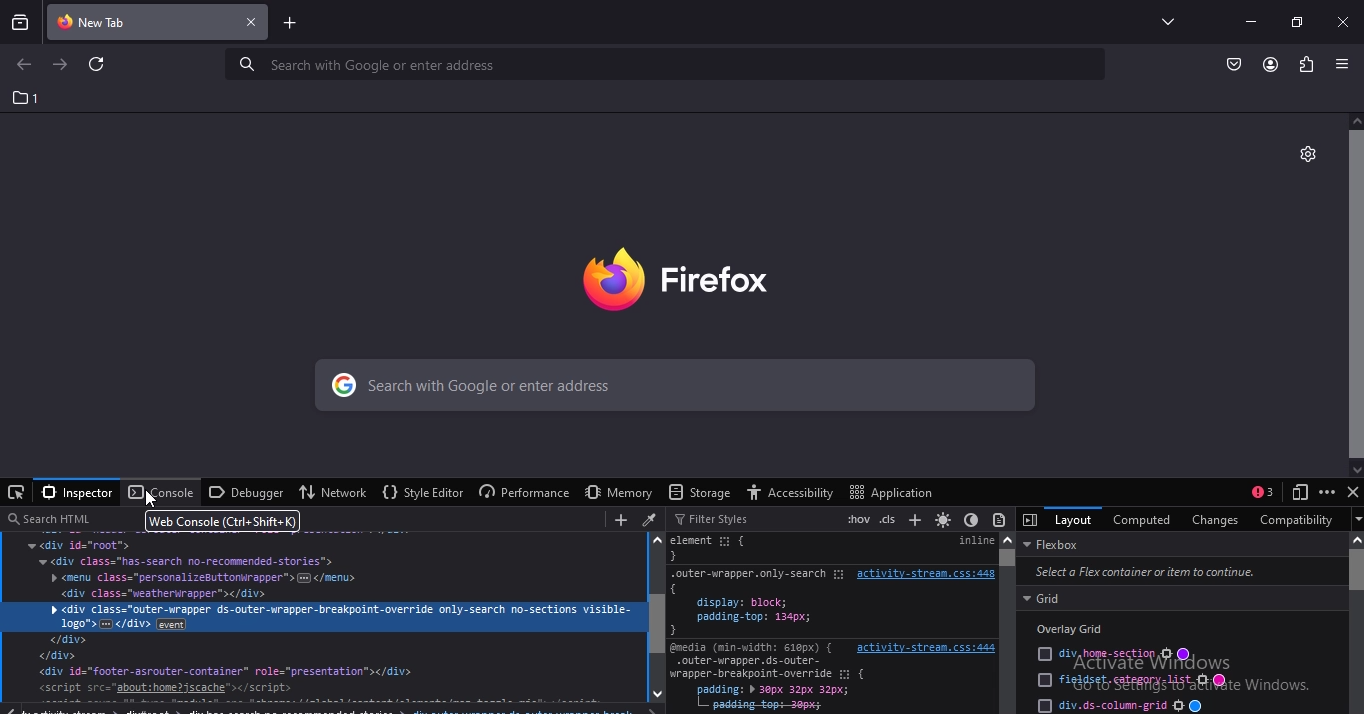 The image size is (1364, 714). I want to click on close, so click(1352, 491).